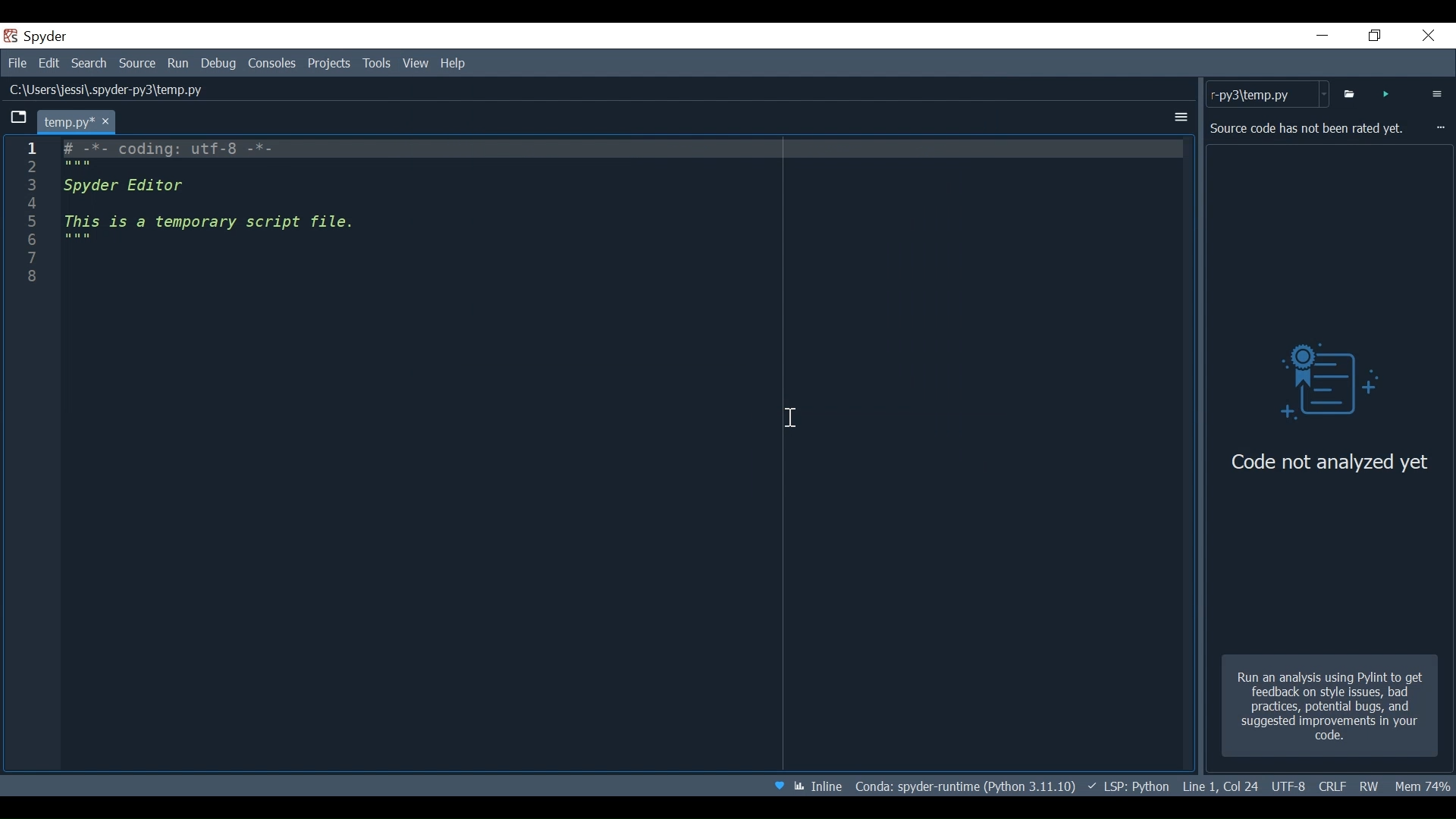 This screenshot has width=1456, height=819. Describe the element at coordinates (967, 785) in the screenshot. I see `File path` at that location.